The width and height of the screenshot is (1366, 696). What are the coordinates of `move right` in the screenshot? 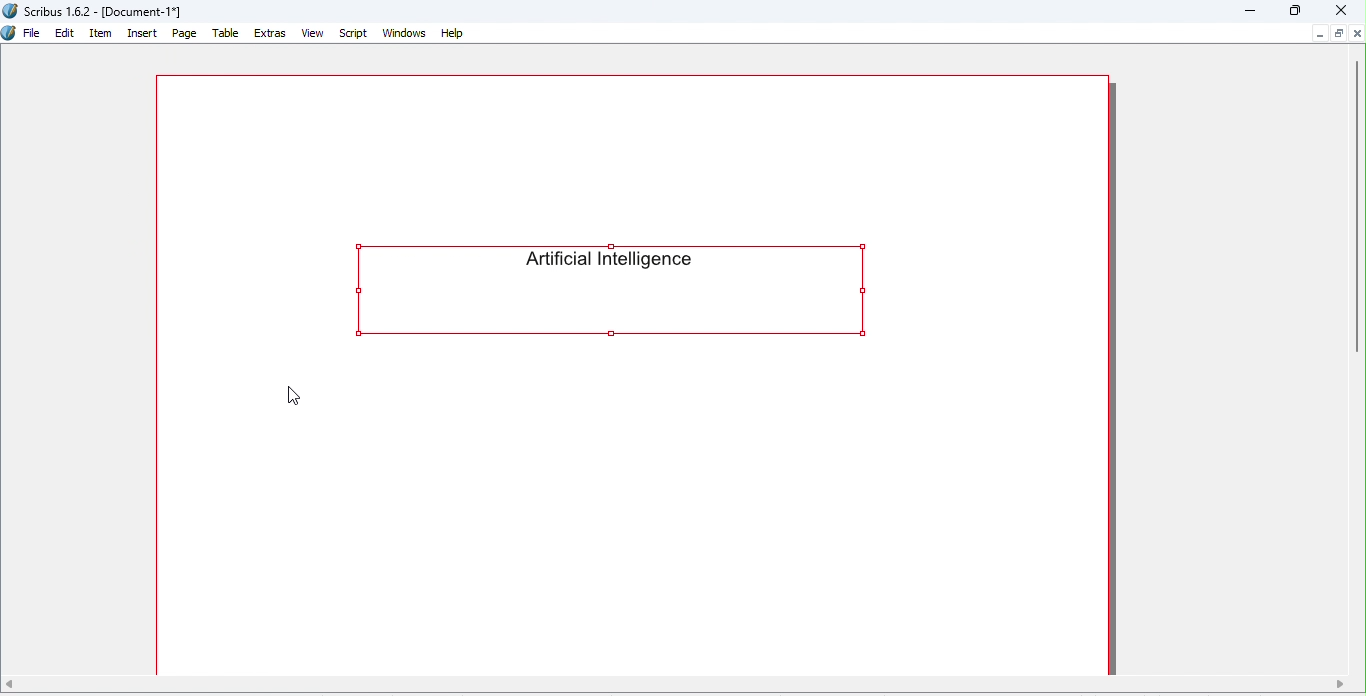 It's located at (1340, 683).